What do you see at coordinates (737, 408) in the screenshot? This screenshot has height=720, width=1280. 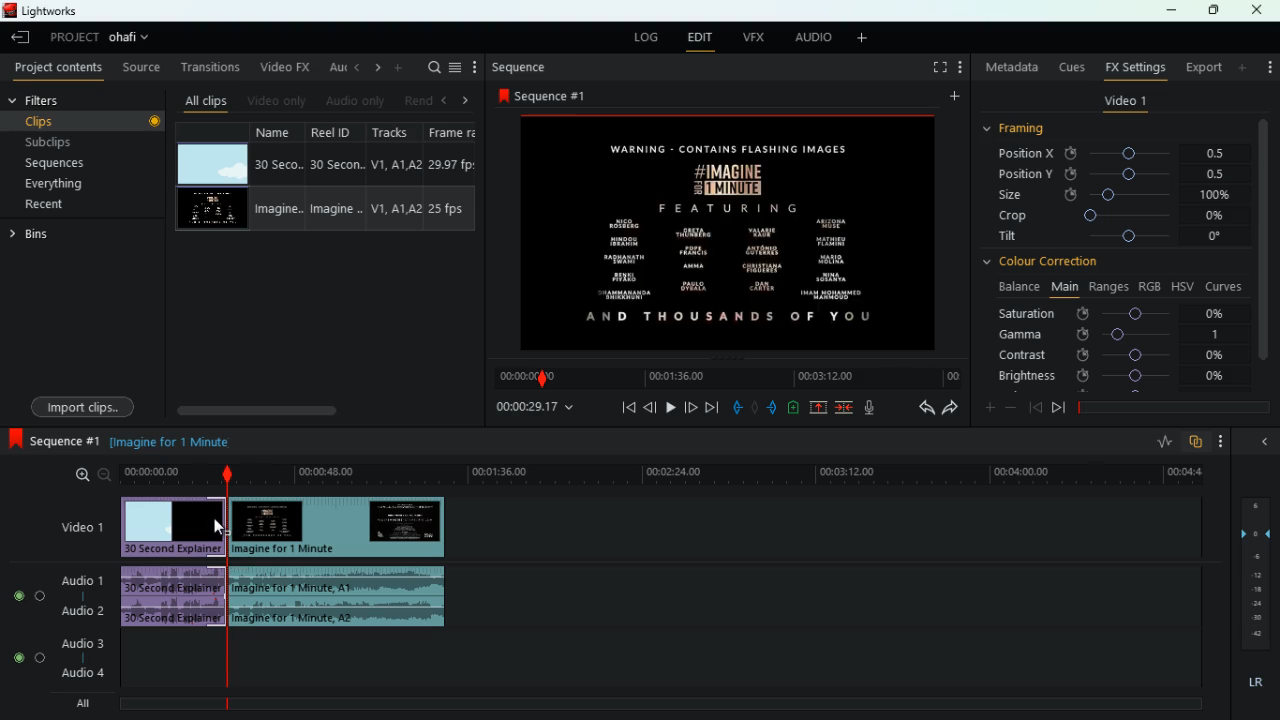 I see `pull` at bounding box center [737, 408].